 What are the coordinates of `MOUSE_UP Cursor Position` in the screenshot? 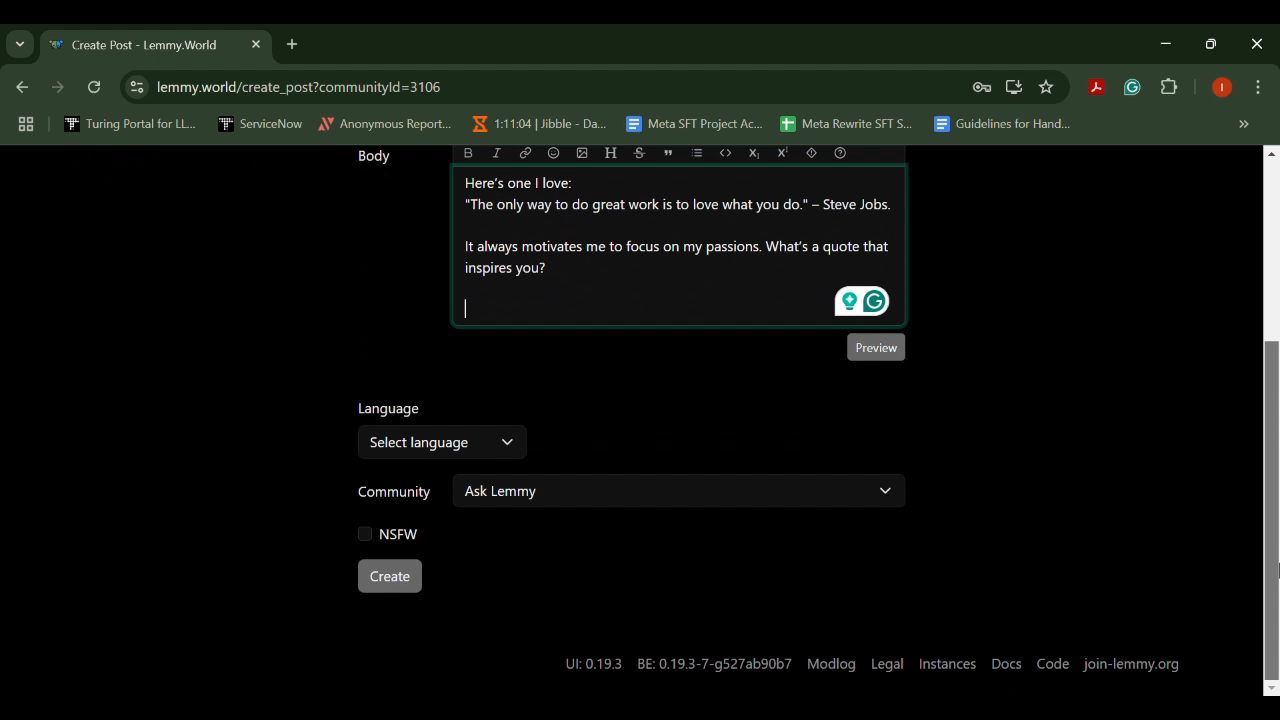 It's located at (1272, 568).